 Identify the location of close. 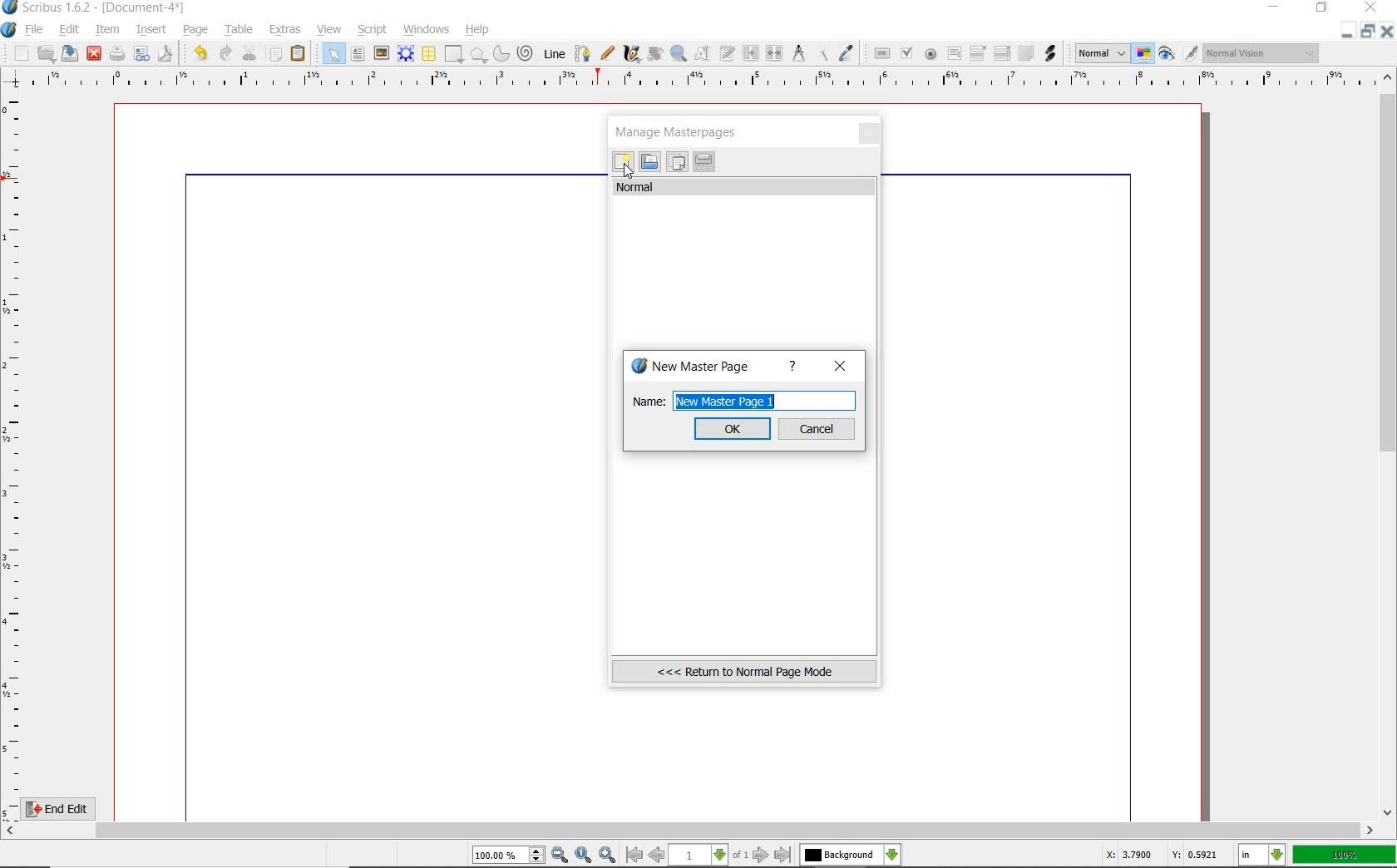
(94, 52).